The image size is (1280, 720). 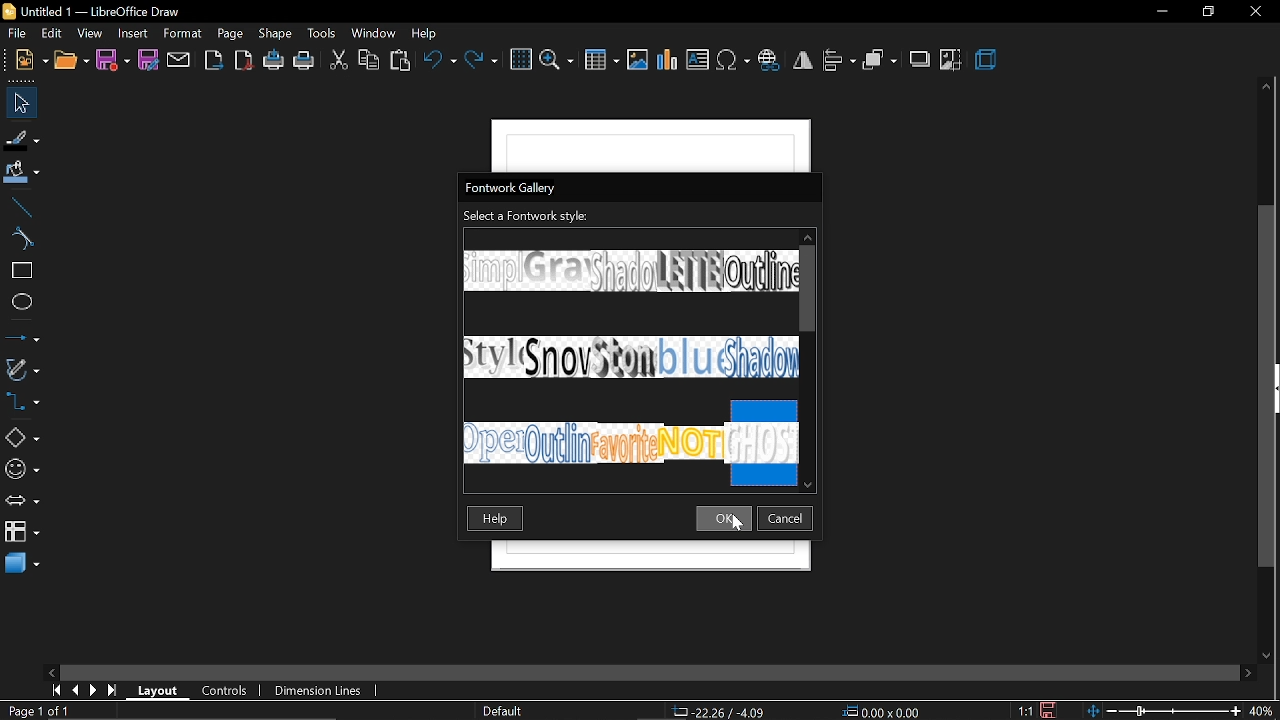 I want to click on file, so click(x=19, y=34).